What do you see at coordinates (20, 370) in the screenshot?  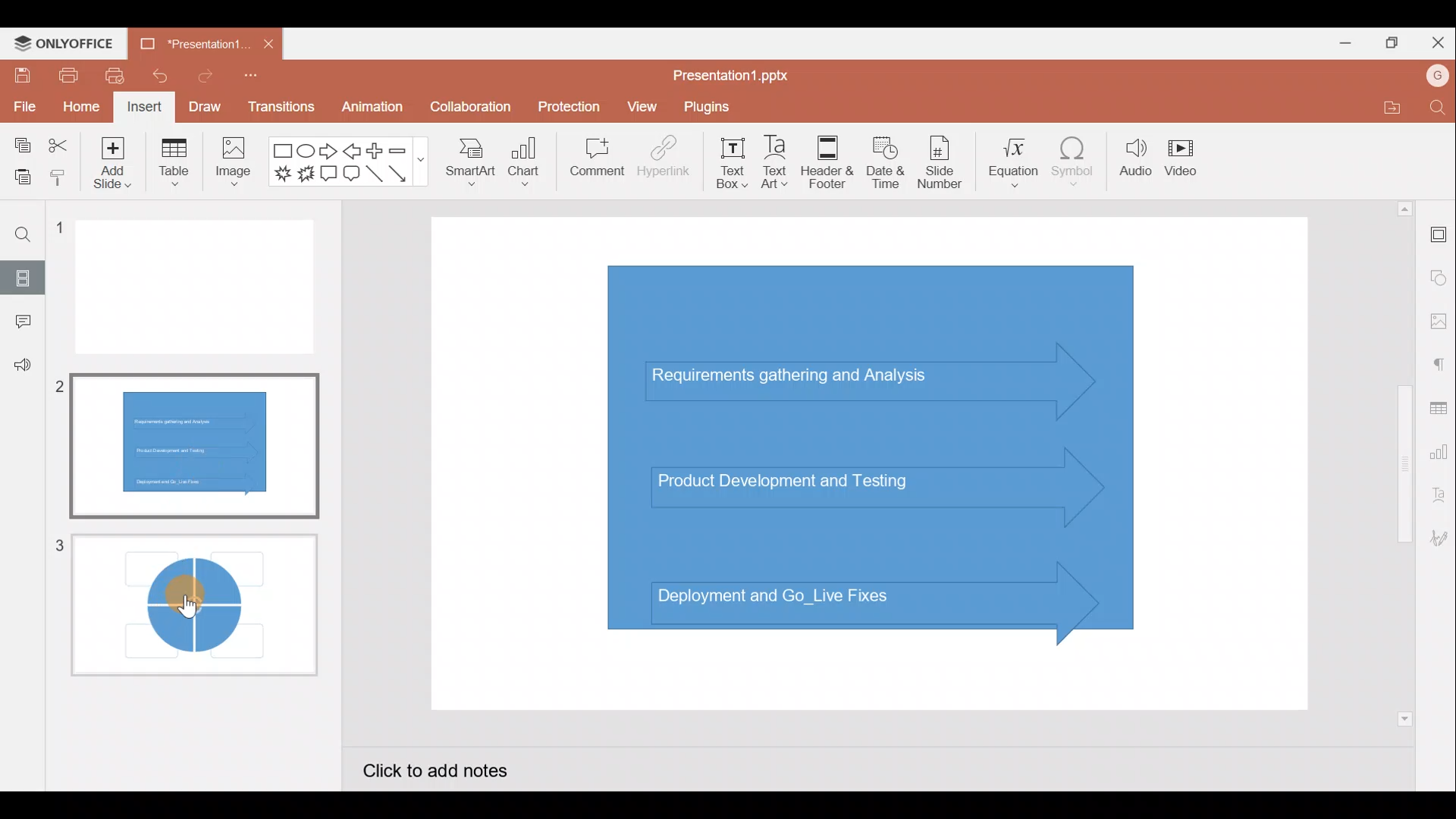 I see `Feedback & support` at bounding box center [20, 370].